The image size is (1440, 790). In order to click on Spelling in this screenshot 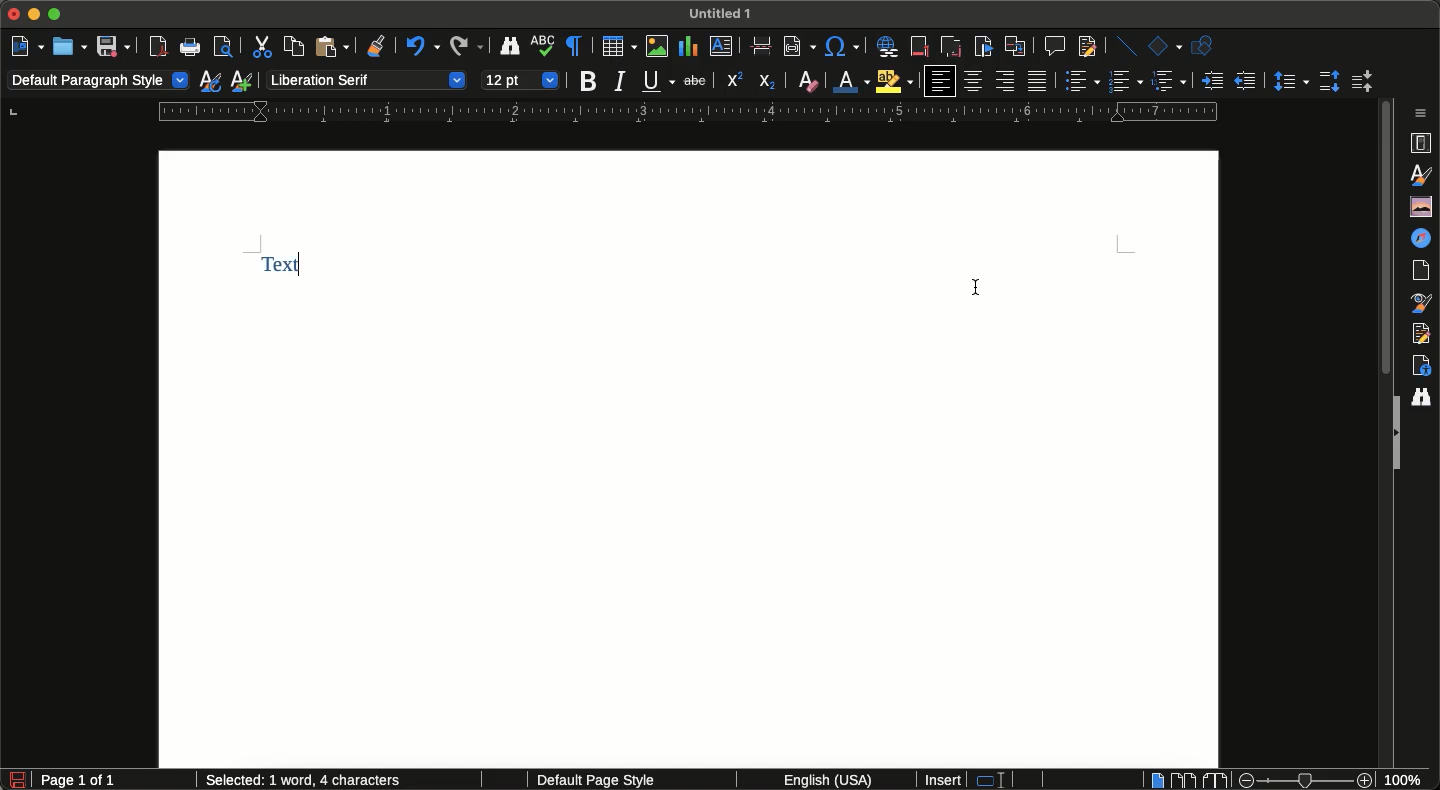, I will do `click(544, 48)`.